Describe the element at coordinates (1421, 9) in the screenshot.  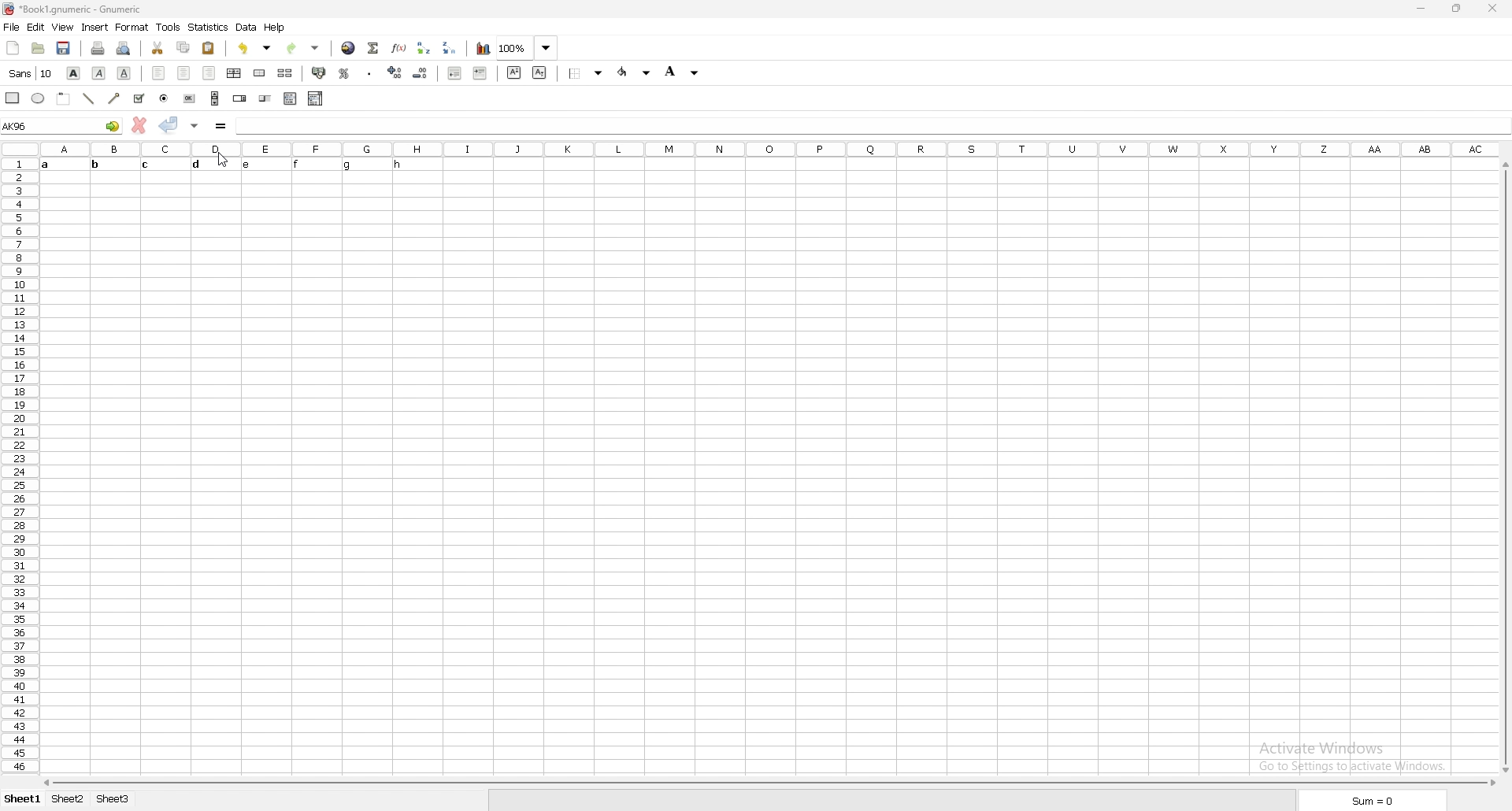
I see `minimize` at that location.